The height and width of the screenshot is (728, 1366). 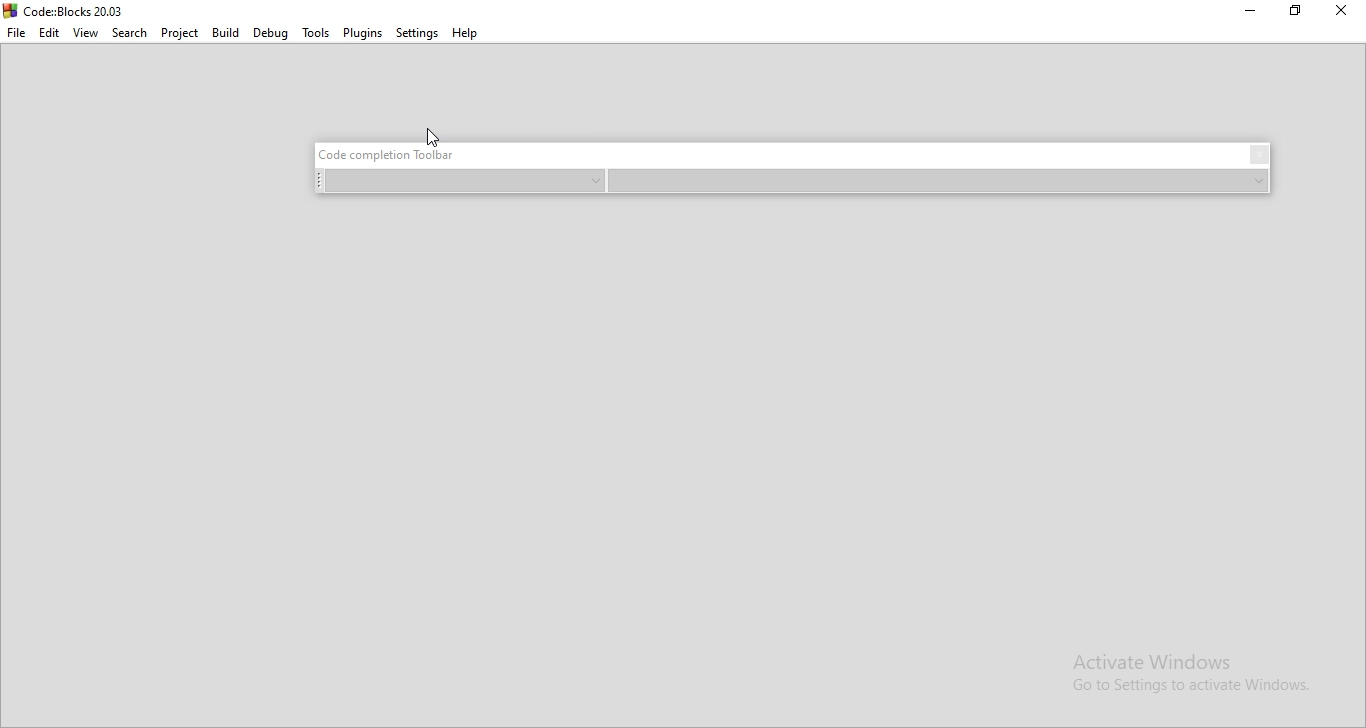 I want to click on File, so click(x=16, y=33).